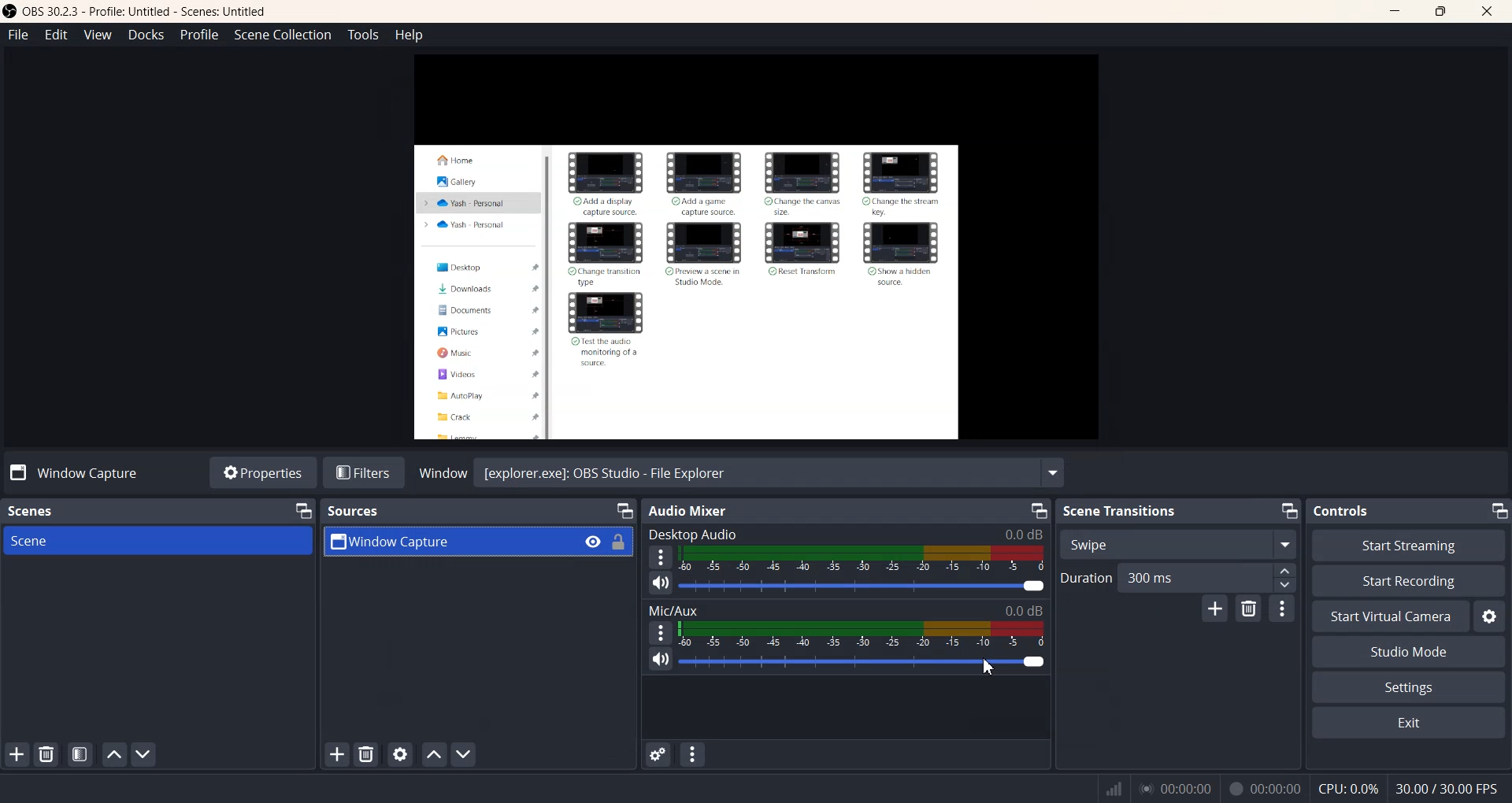 The height and width of the screenshot is (803, 1512). What do you see at coordinates (659, 557) in the screenshot?
I see `More` at bounding box center [659, 557].